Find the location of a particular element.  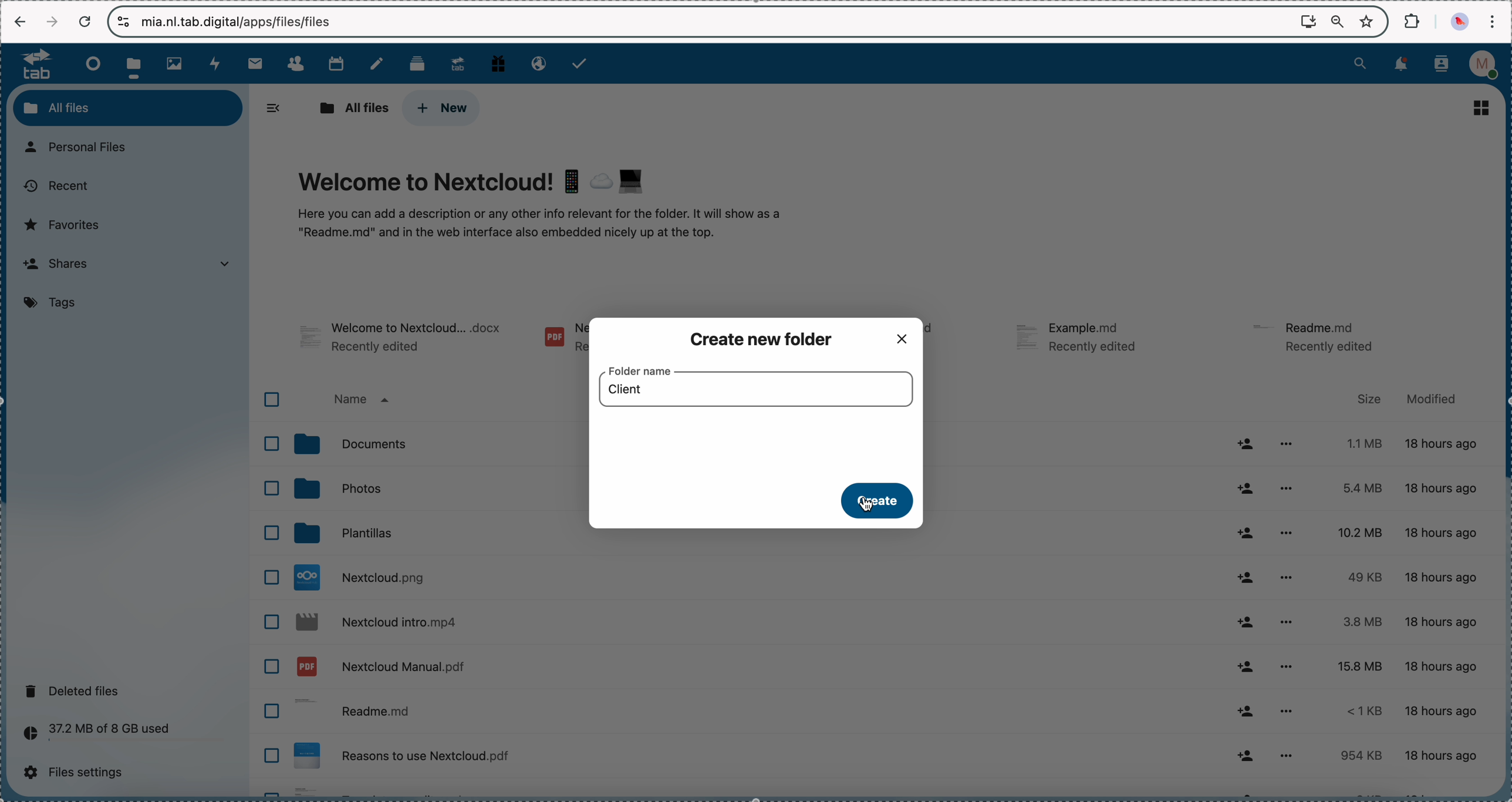

tasks is located at coordinates (581, 63).